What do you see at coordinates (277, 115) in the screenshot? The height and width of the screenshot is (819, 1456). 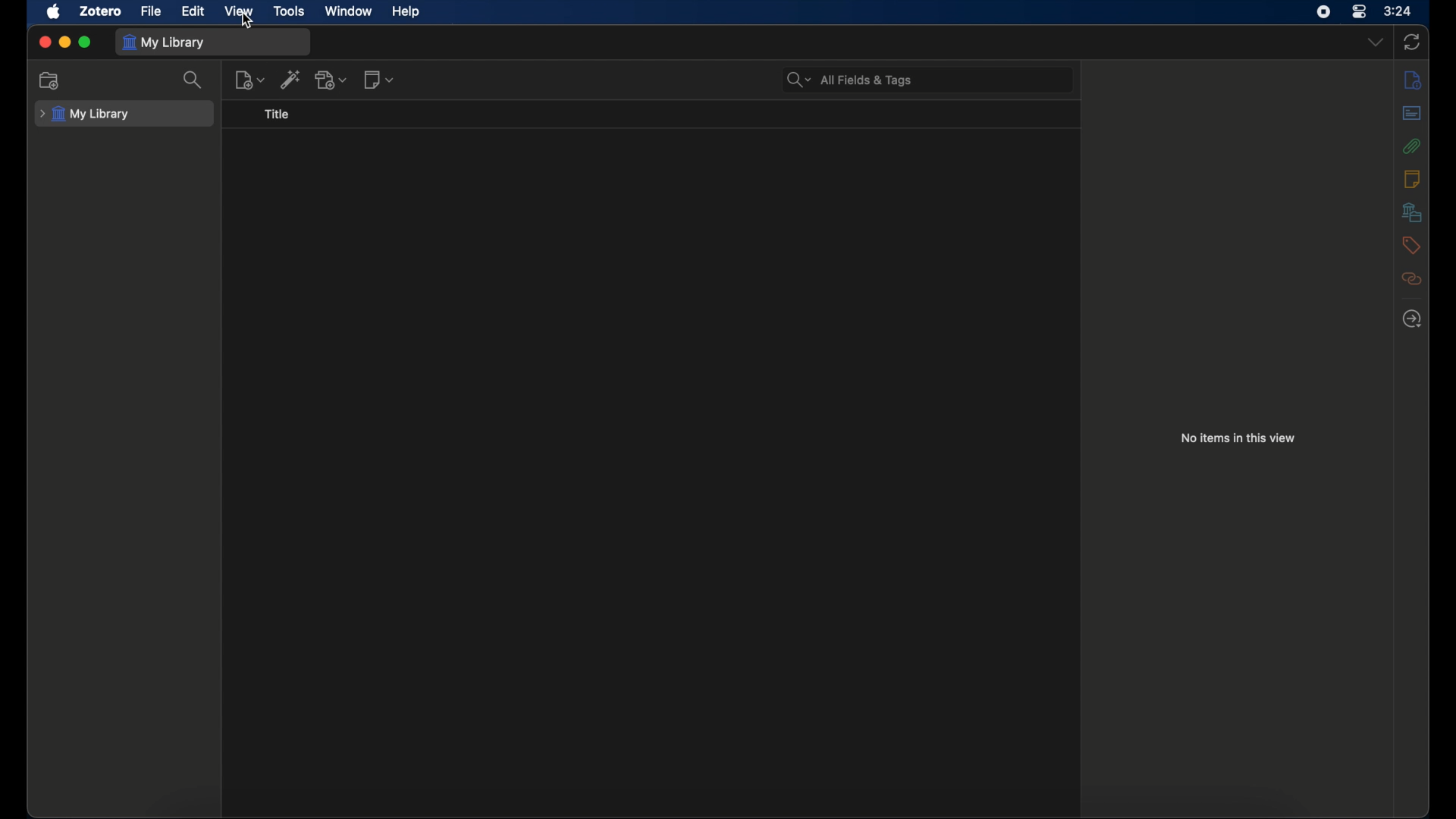 I see `title` at bounding box center [277, 115].